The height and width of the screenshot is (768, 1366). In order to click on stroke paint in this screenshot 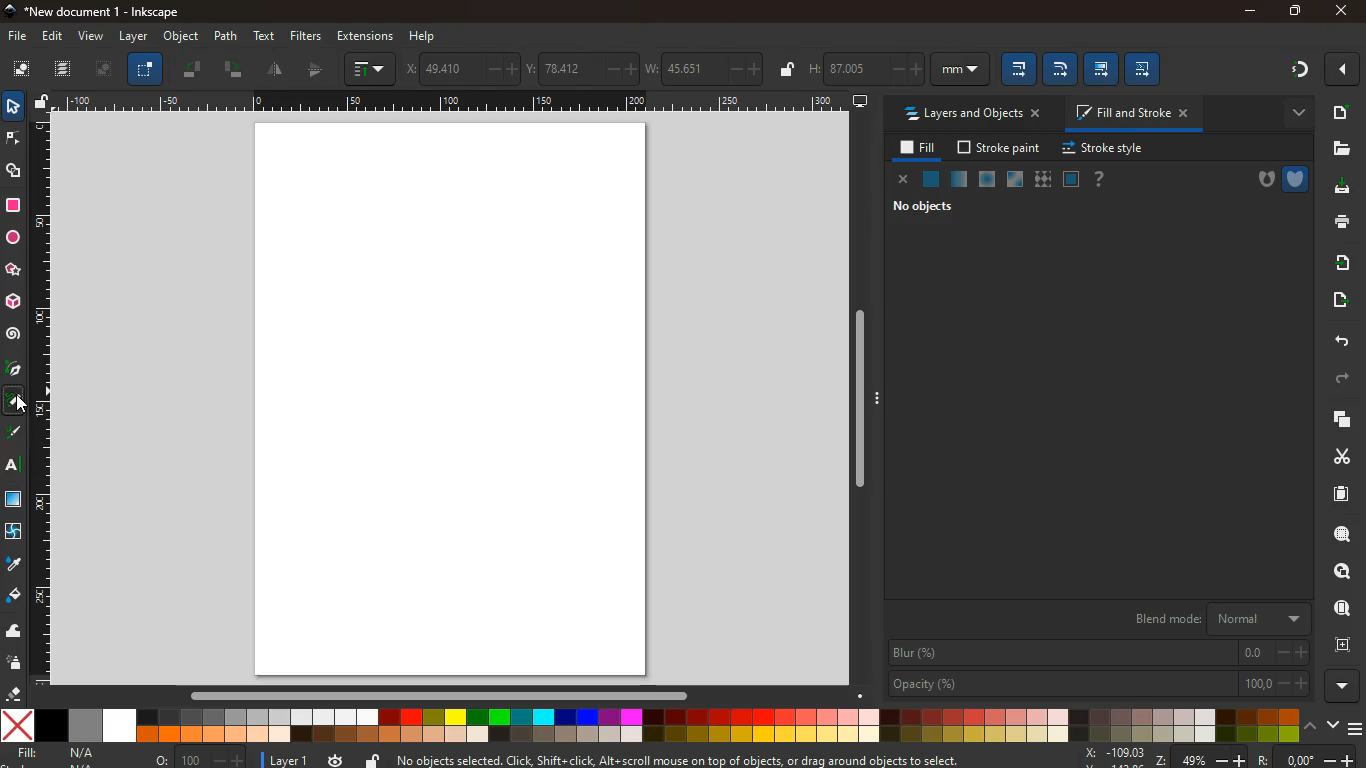, I will do `click(1001, 148)`.